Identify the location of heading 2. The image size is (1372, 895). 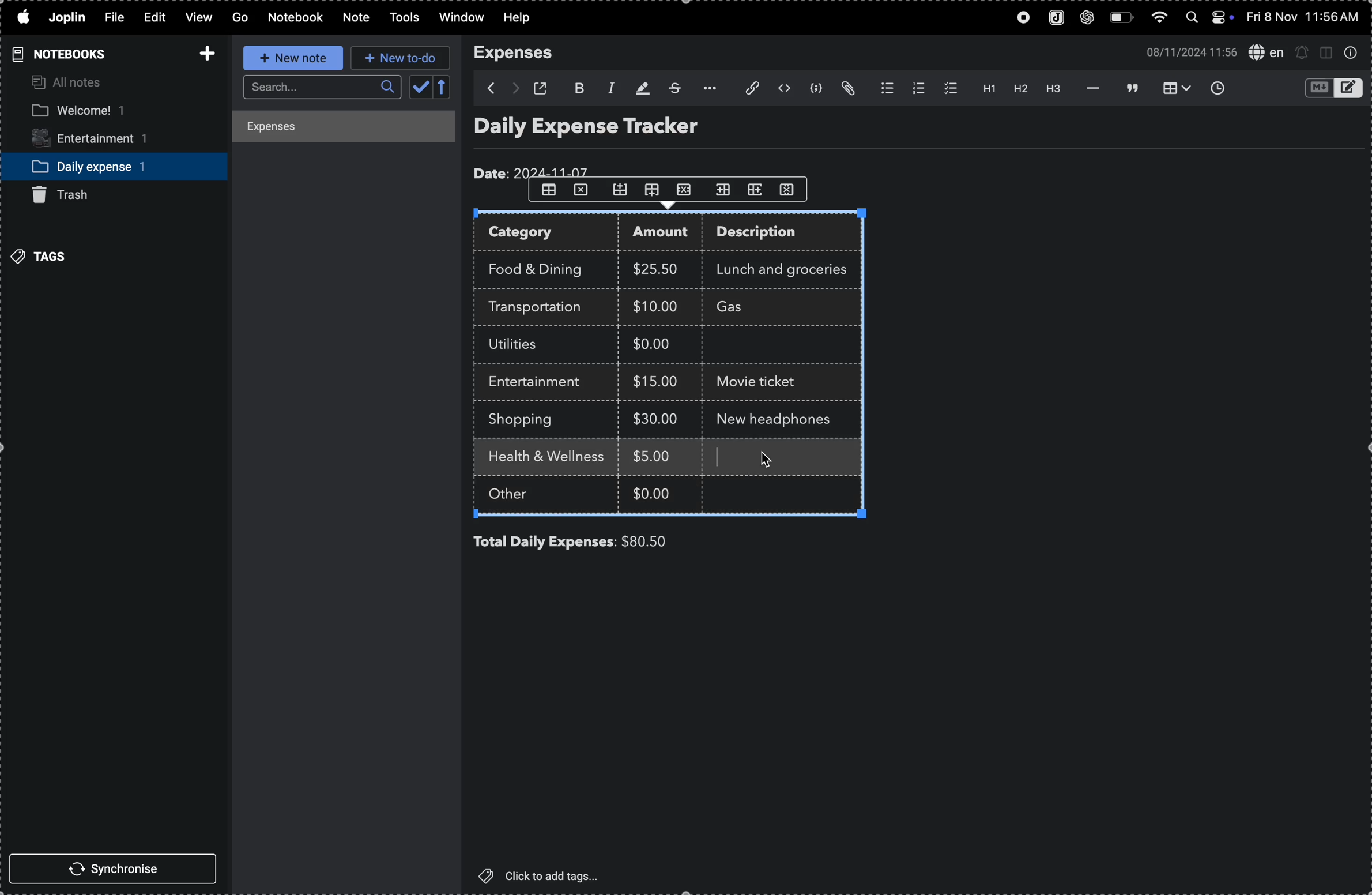
(1020, 91).